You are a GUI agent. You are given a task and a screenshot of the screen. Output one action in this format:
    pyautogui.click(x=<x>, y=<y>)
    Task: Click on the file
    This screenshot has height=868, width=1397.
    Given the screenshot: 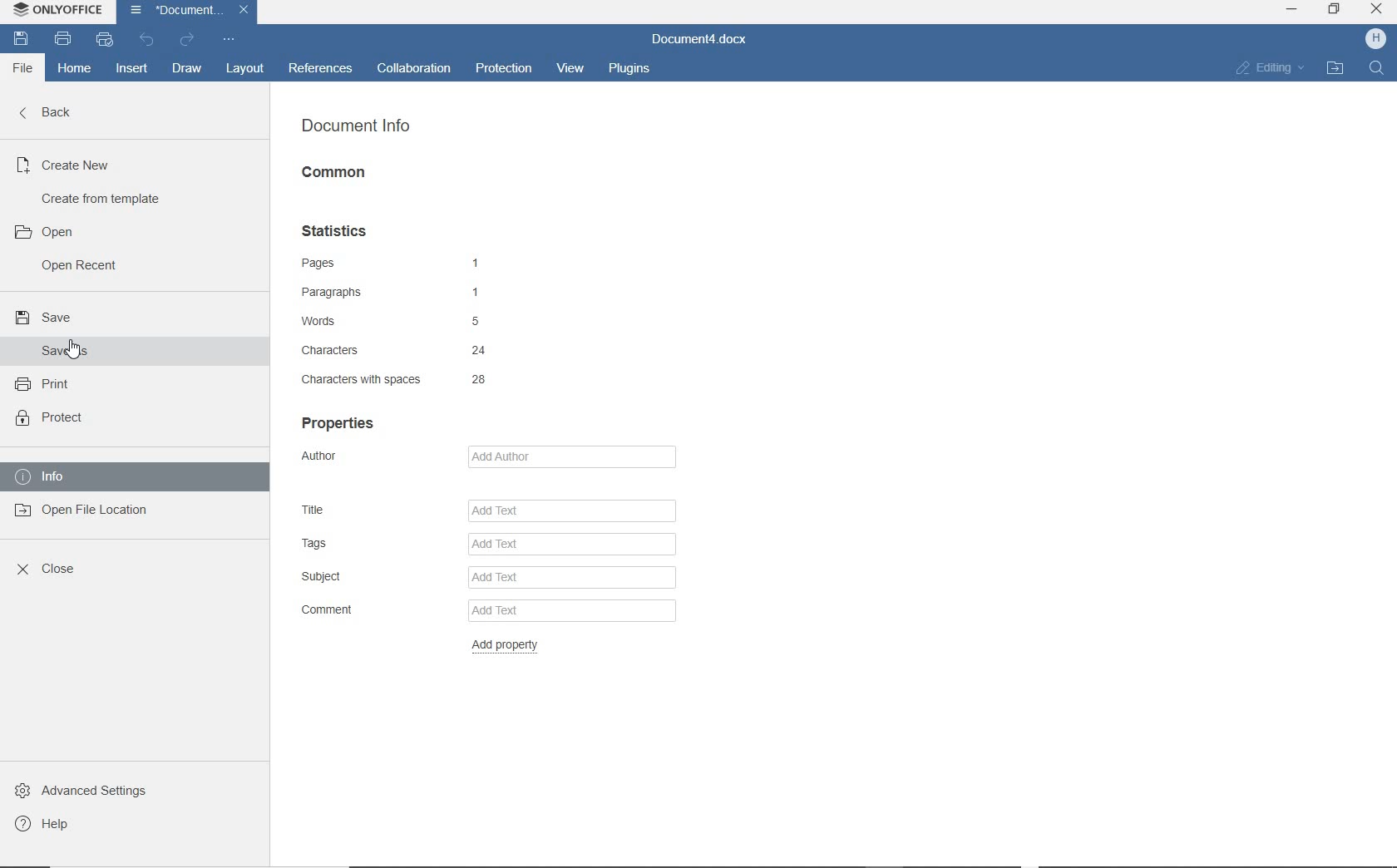 What is the action you would take?
    pyautogui.click(x=18, y=69)
    